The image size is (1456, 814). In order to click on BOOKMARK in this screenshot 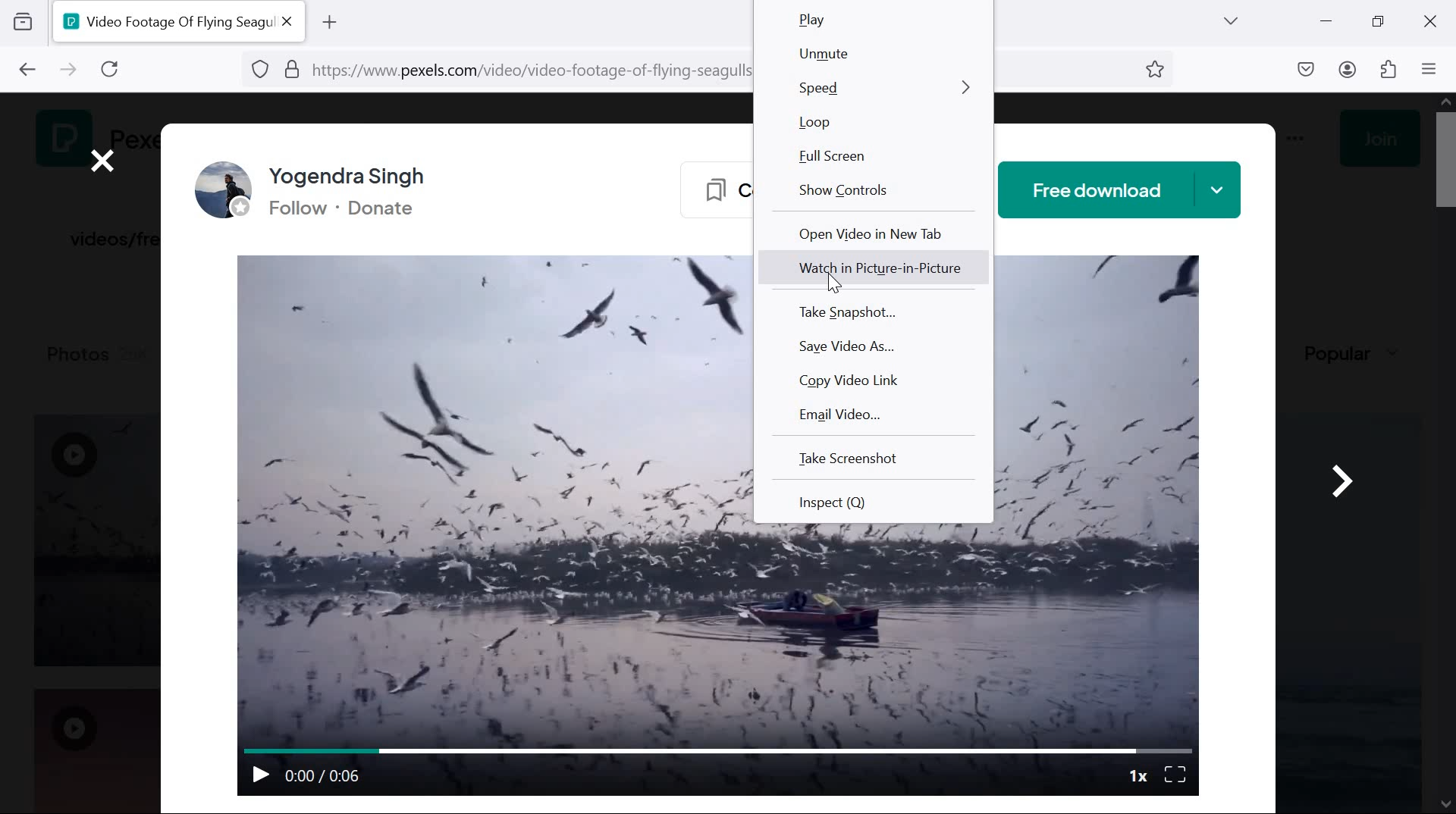, I will do `click(1156, 71)`.